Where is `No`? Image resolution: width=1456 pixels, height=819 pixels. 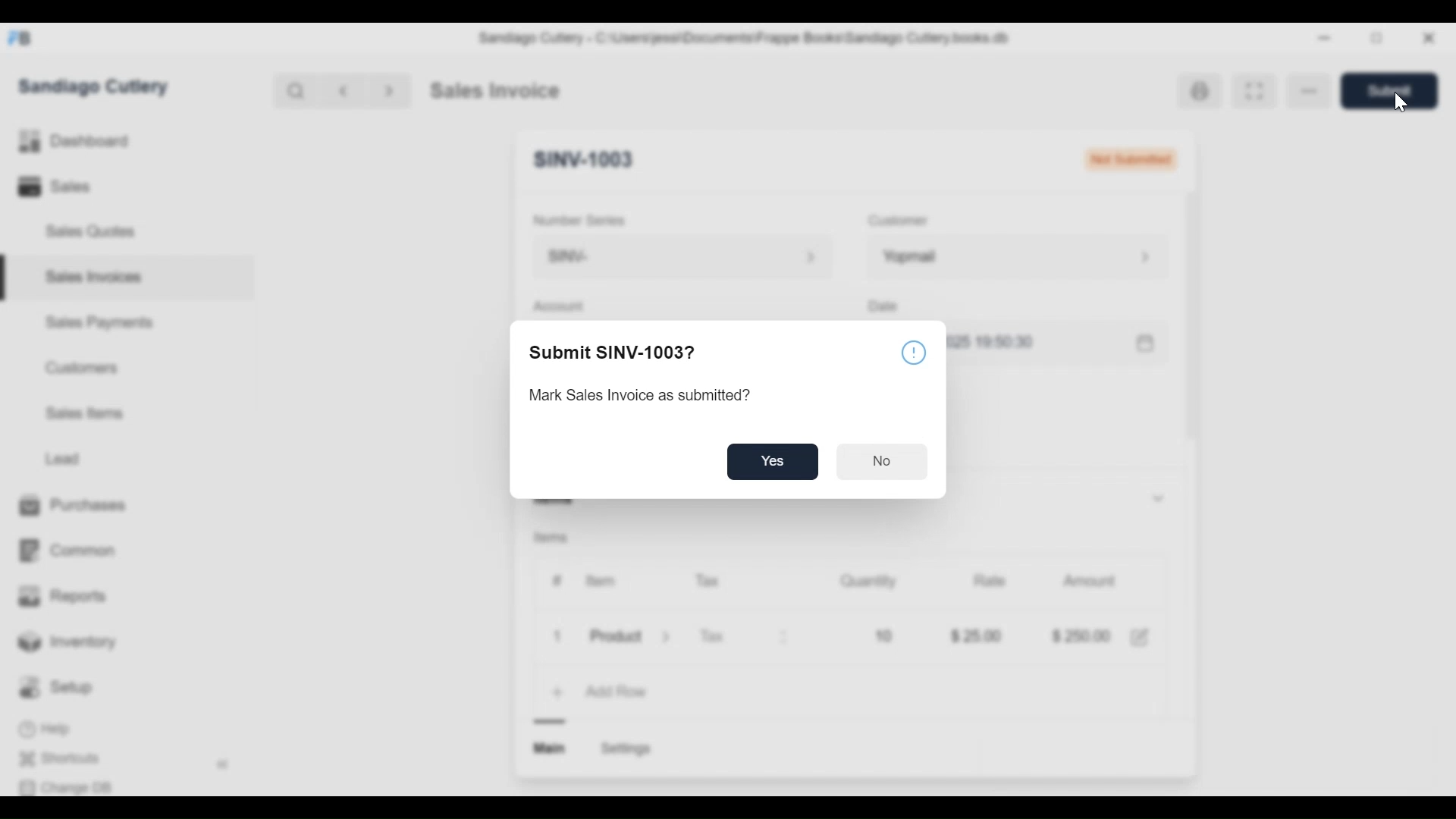
No is located at coordinates (880, 462).